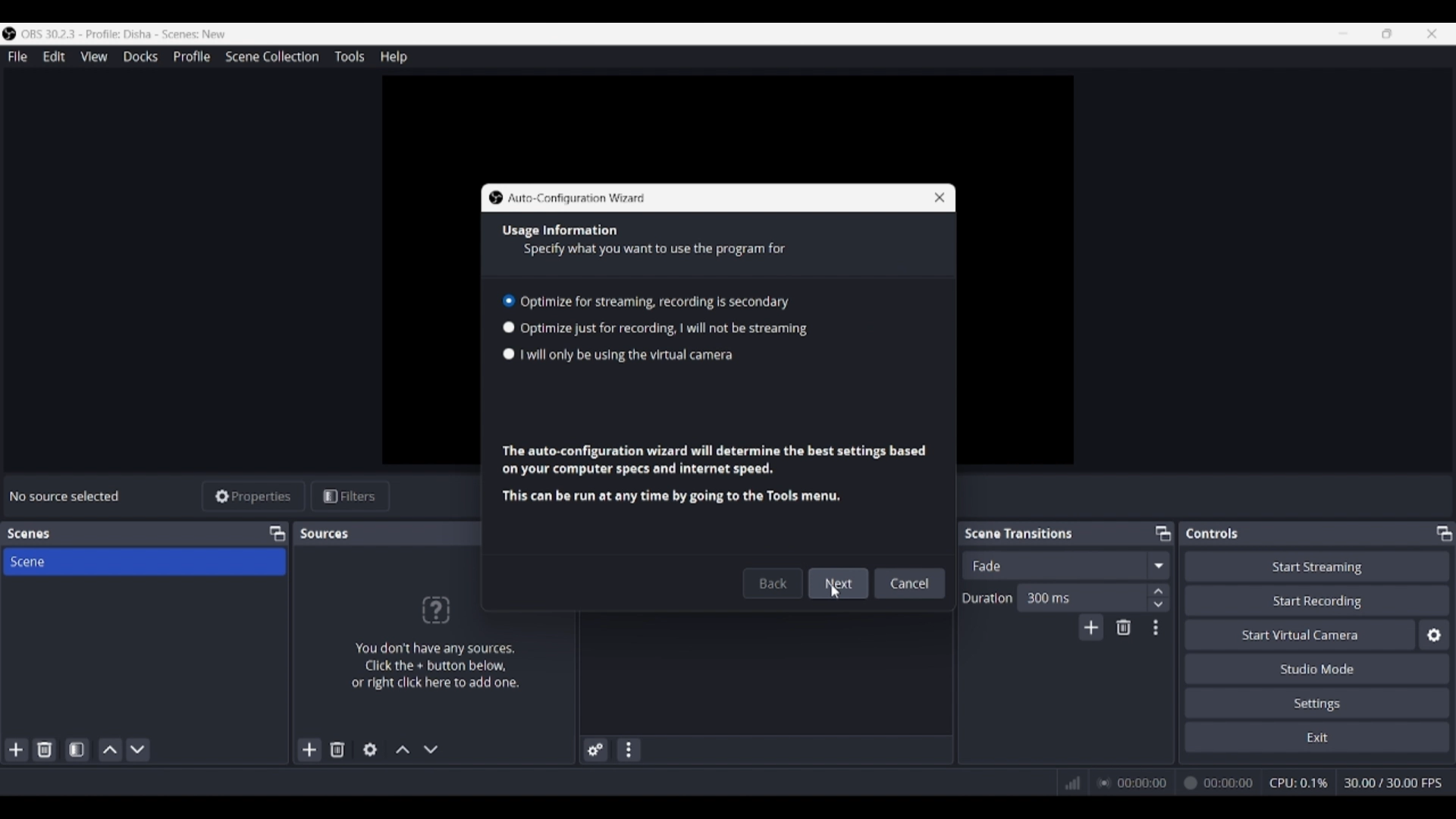 Image resolution: width=1456 pixels, height=819 pixels. What do you see at coordinates (1163, 533) in the screenshot?
I see `Float Scene transitions panel` at bounding box center [1163, 533].